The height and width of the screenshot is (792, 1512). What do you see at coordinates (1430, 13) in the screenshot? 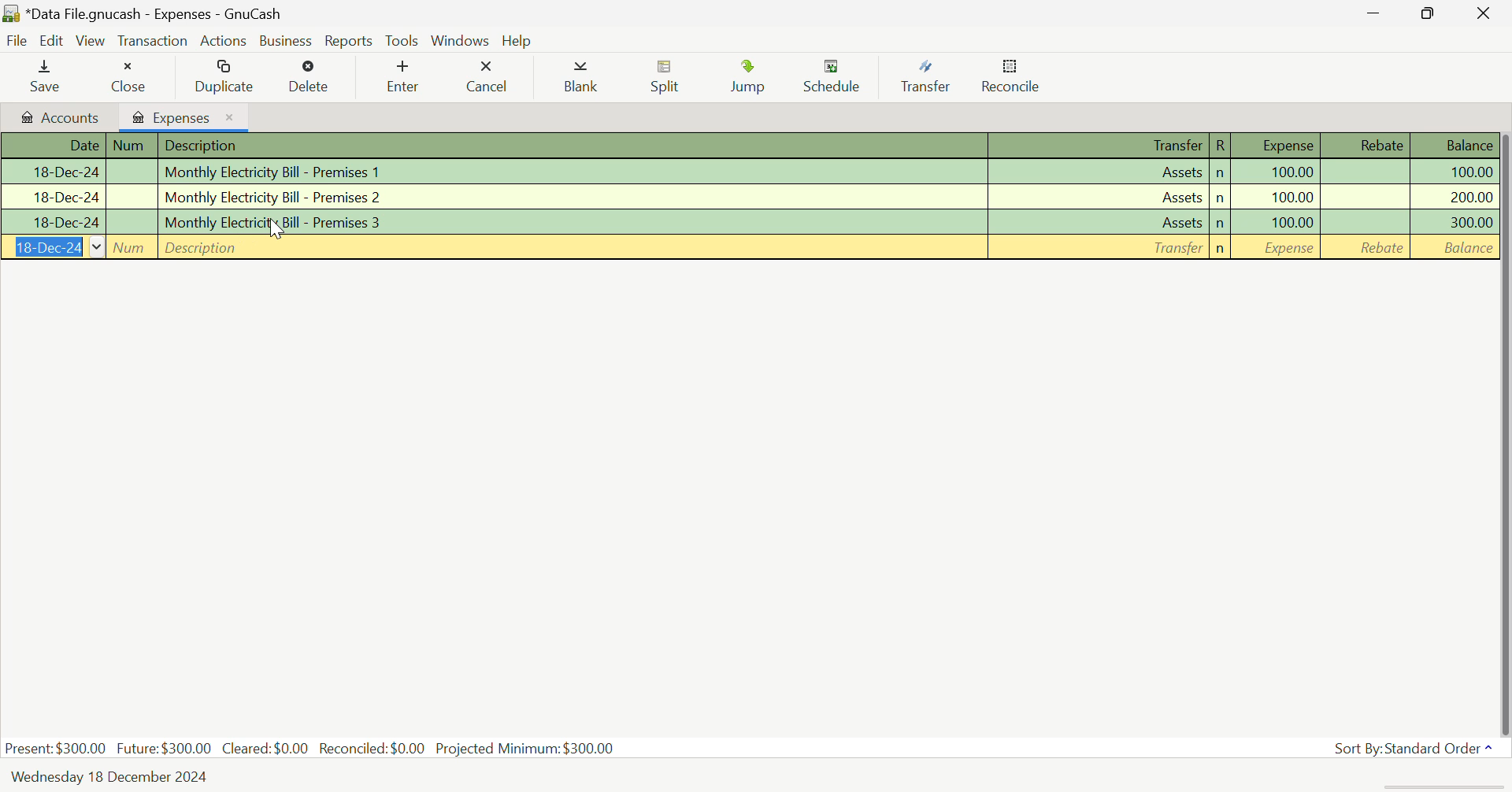
I see `Minimize Window` at bounding box center [1430, 13].